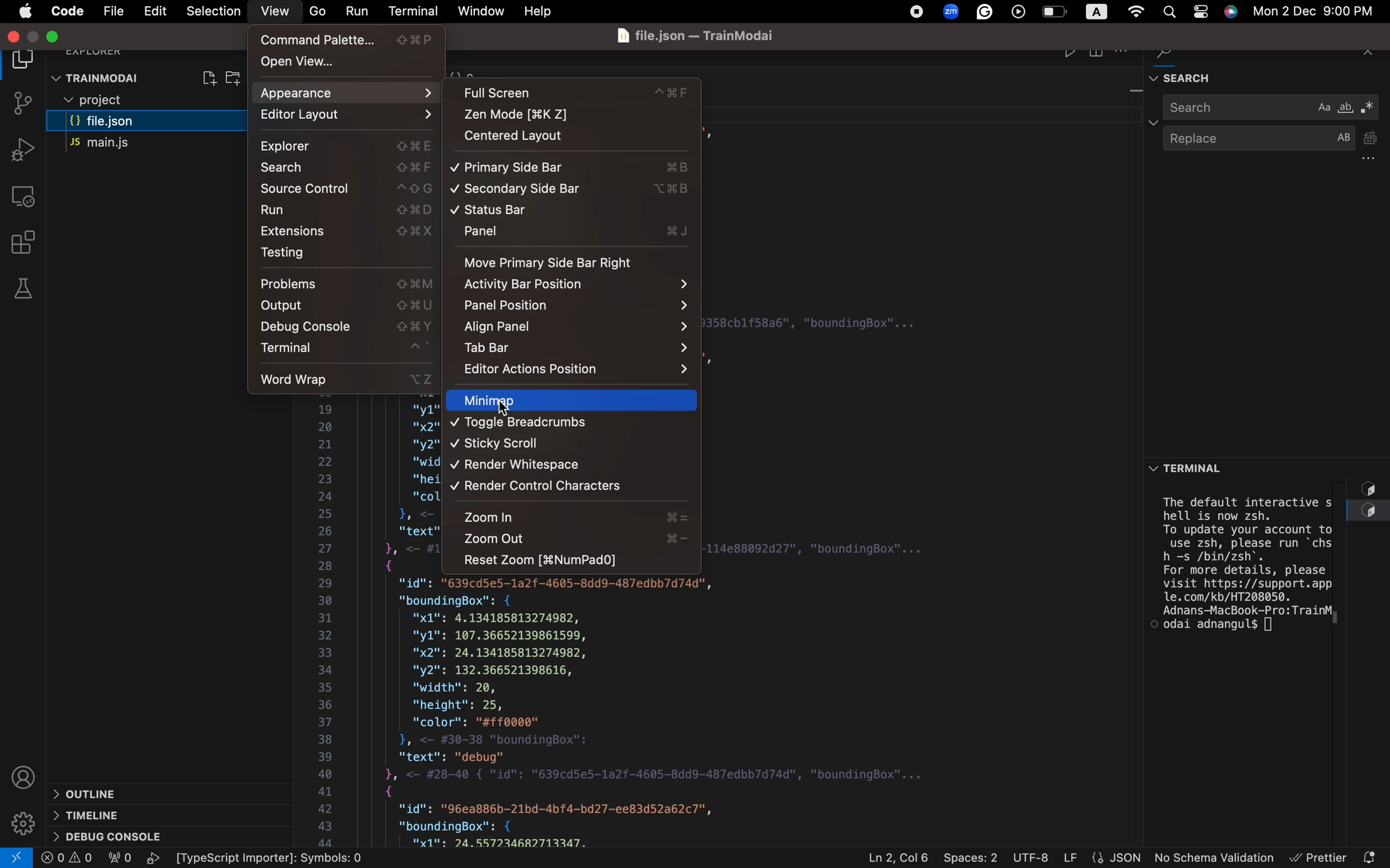 The height and width of the screenshot is (868, 1390). I want to click on create folder, so click(233, 76).